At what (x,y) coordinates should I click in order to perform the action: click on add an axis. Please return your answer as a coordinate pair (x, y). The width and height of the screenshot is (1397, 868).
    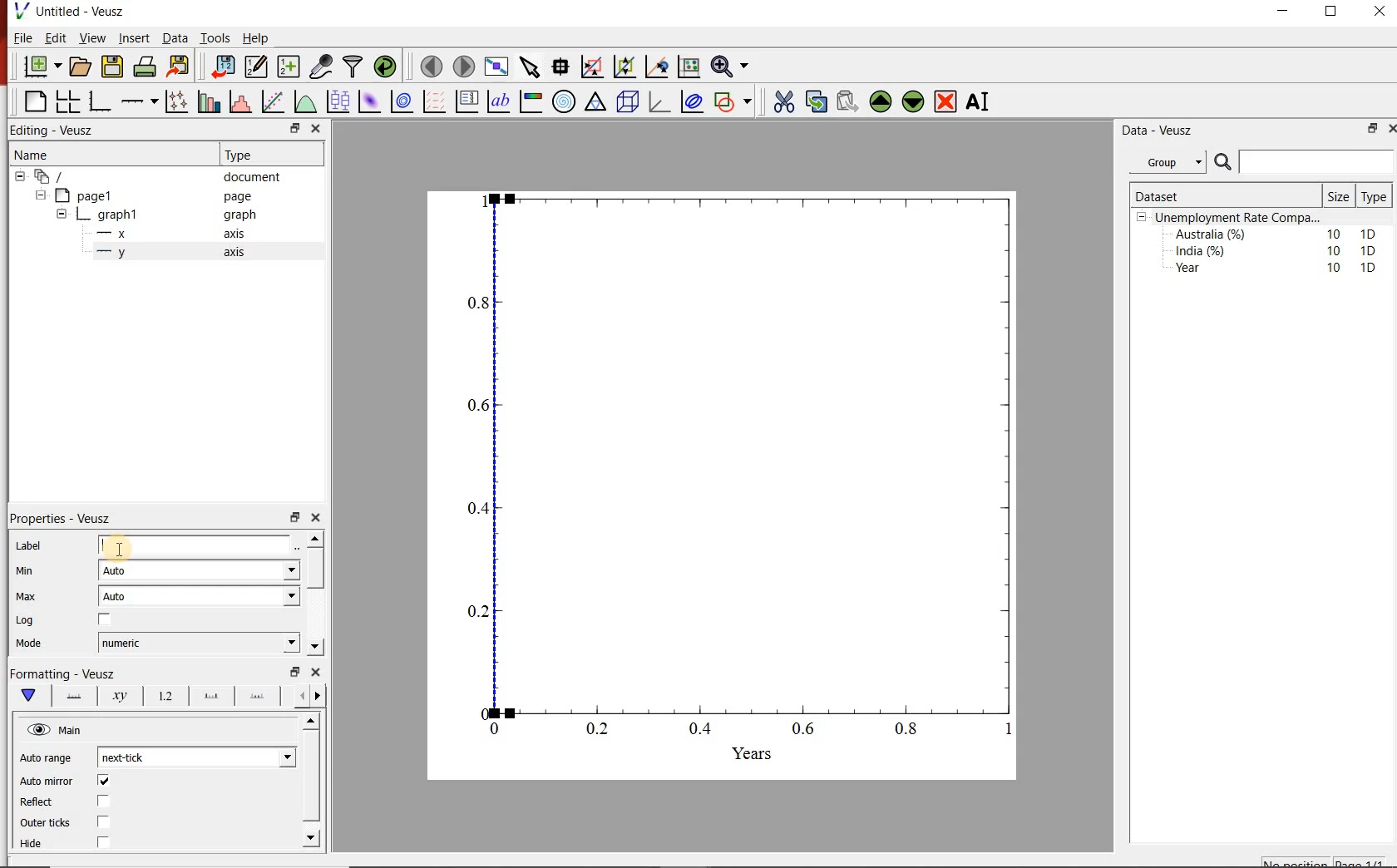
    Looking at the image, I should click on (138, 101).